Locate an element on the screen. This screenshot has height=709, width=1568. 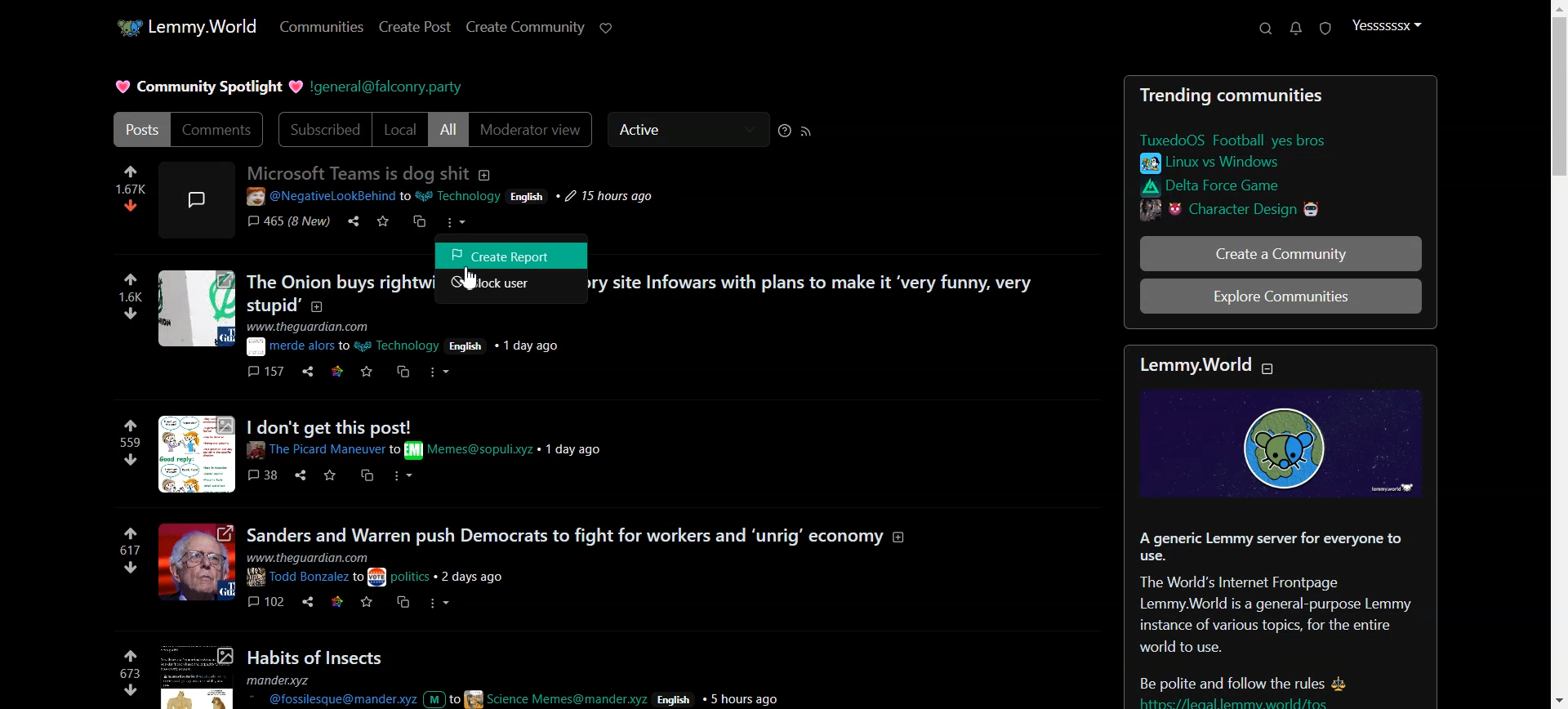
share is located at coordinates (308, 373).